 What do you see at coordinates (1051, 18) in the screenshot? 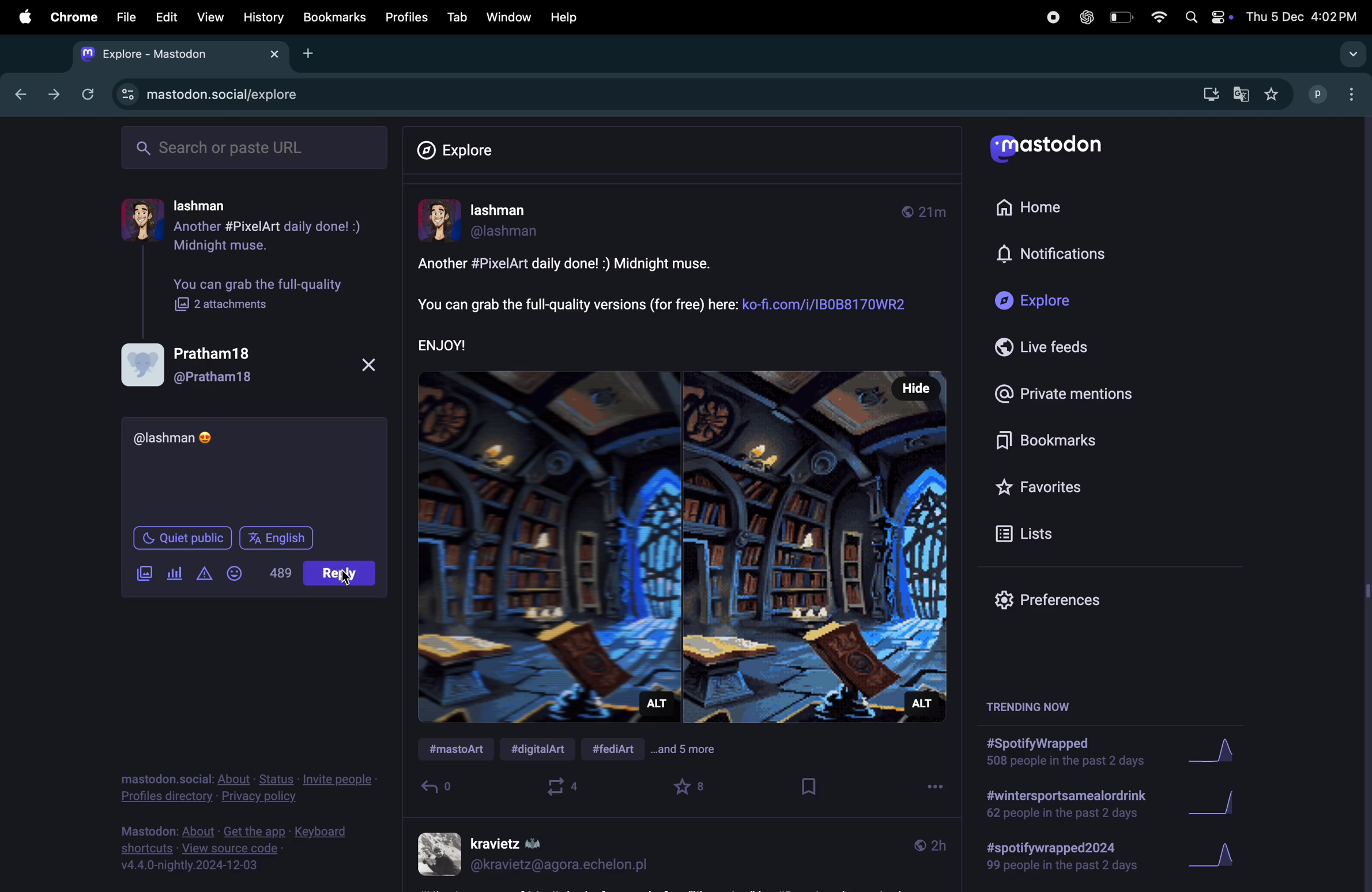
I see `record` at bounding box center [1051, 18].